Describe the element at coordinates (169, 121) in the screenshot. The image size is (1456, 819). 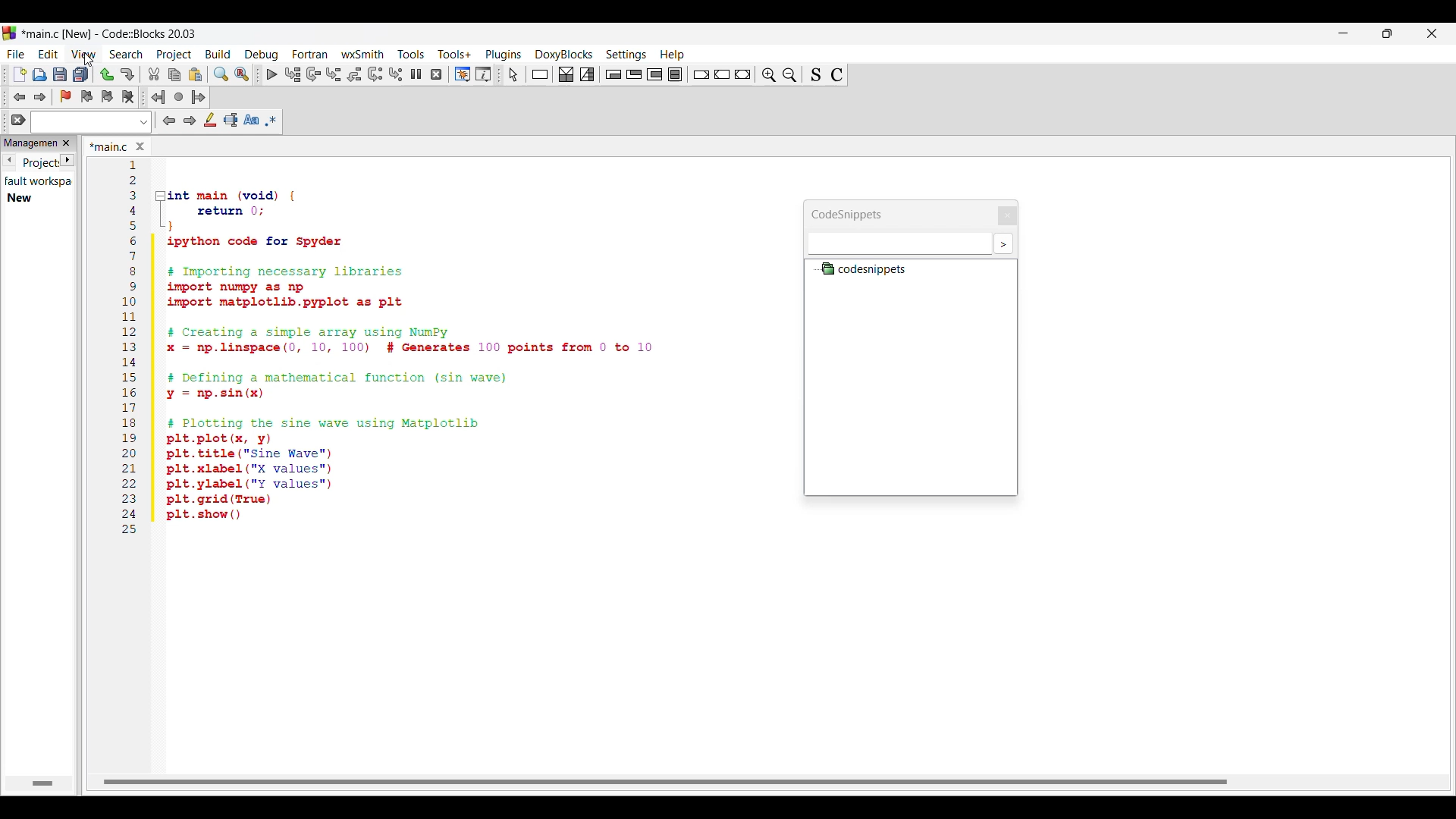
I see `Previous` at that location.